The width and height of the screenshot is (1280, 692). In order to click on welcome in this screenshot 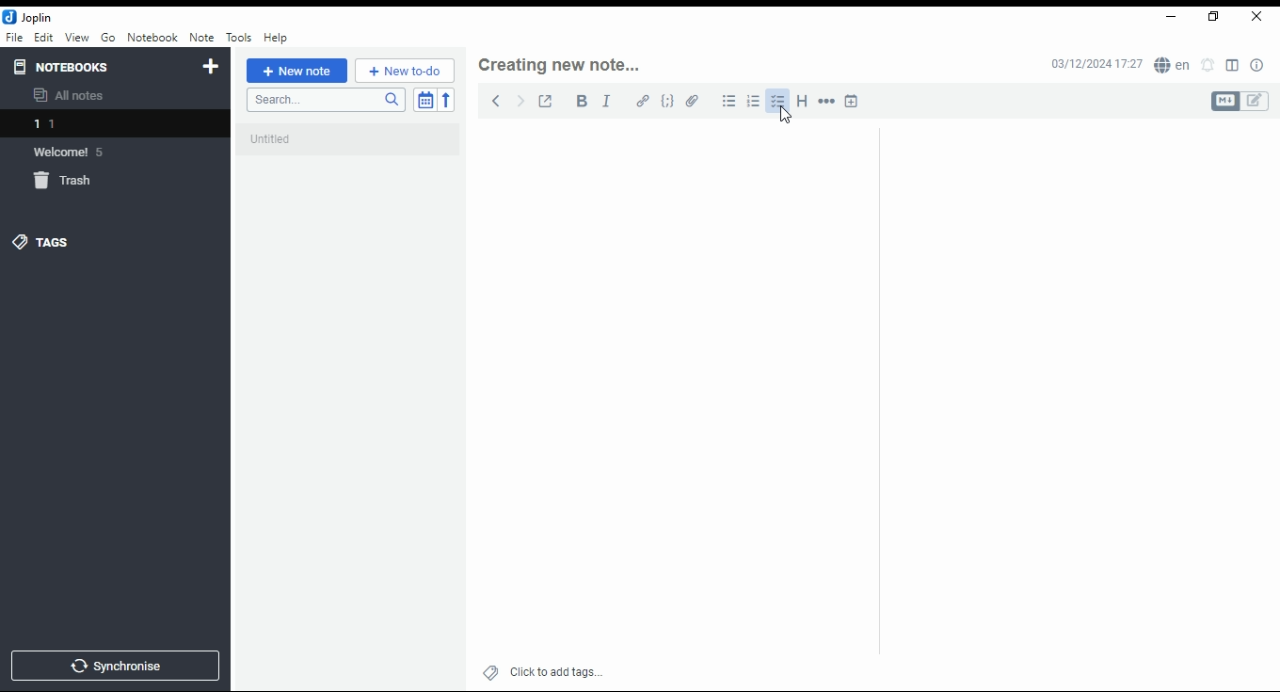, I will do `click(76, 152)`.